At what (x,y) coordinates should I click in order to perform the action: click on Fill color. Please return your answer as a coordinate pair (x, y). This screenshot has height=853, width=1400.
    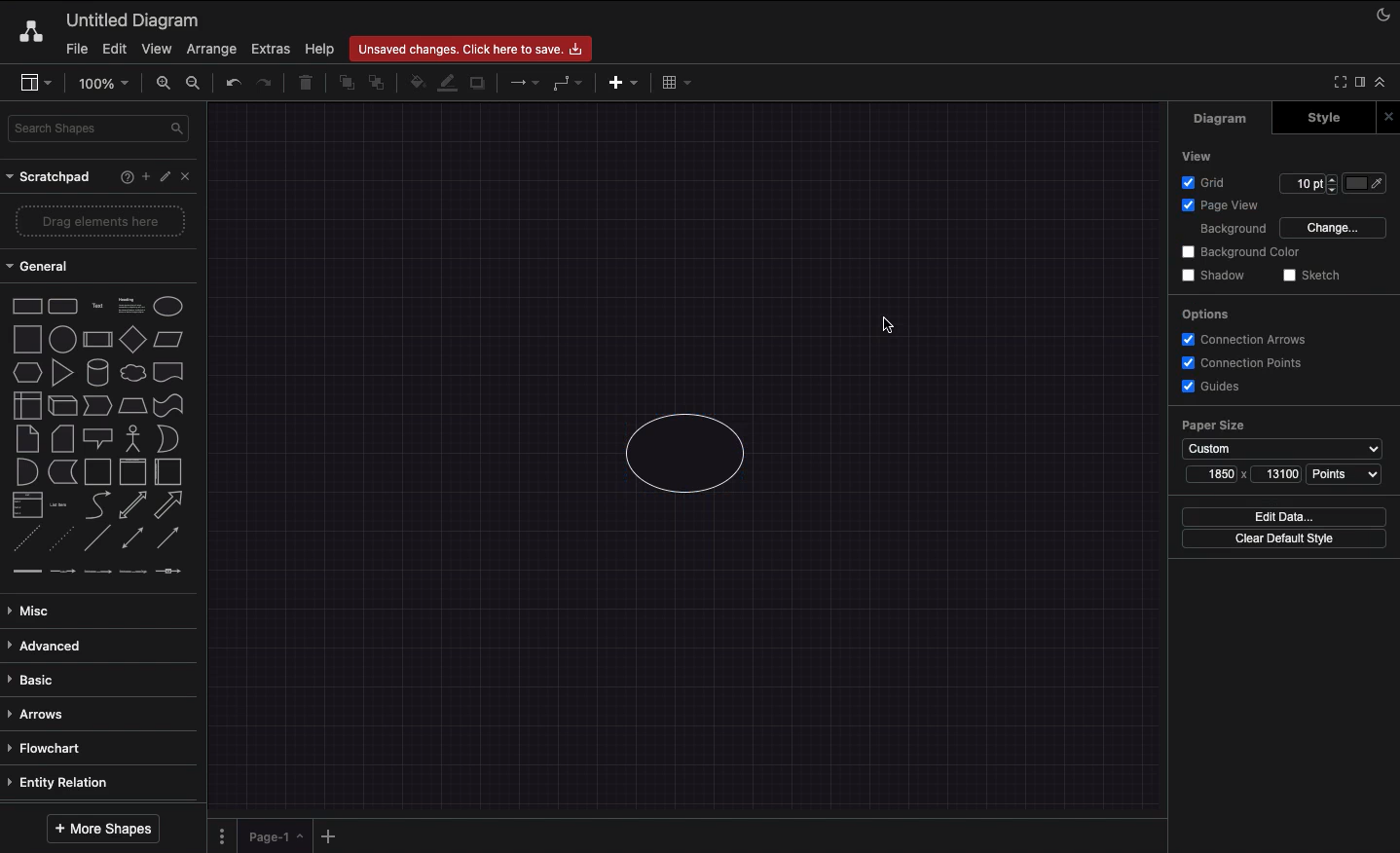
    Looking at the image, I should click on (416, 85).